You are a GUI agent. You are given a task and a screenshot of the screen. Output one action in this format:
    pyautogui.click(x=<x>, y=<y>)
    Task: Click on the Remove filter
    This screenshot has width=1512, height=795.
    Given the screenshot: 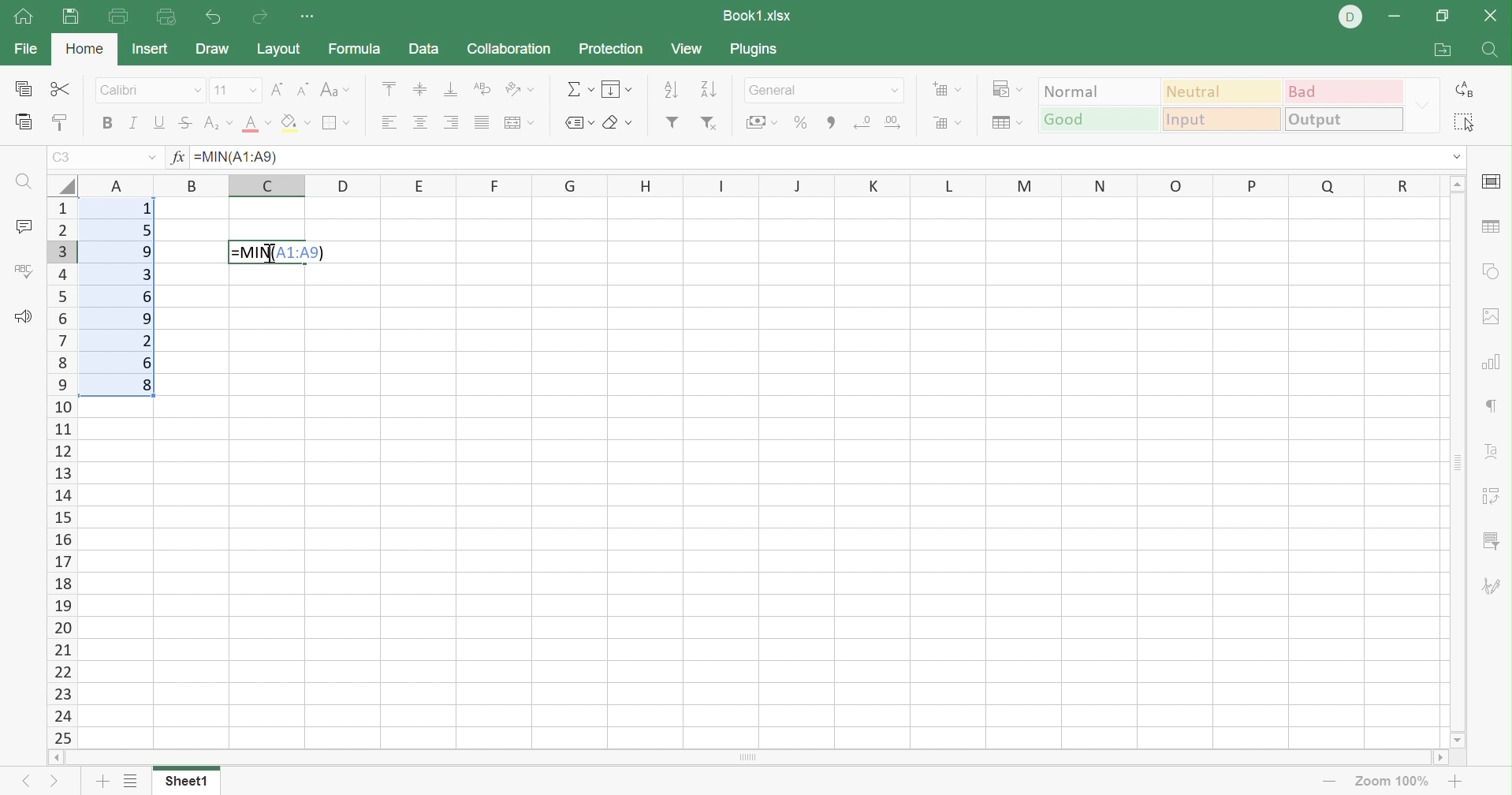 What is the action you would take?
    pyautogui.click(x=709, y=125)
    